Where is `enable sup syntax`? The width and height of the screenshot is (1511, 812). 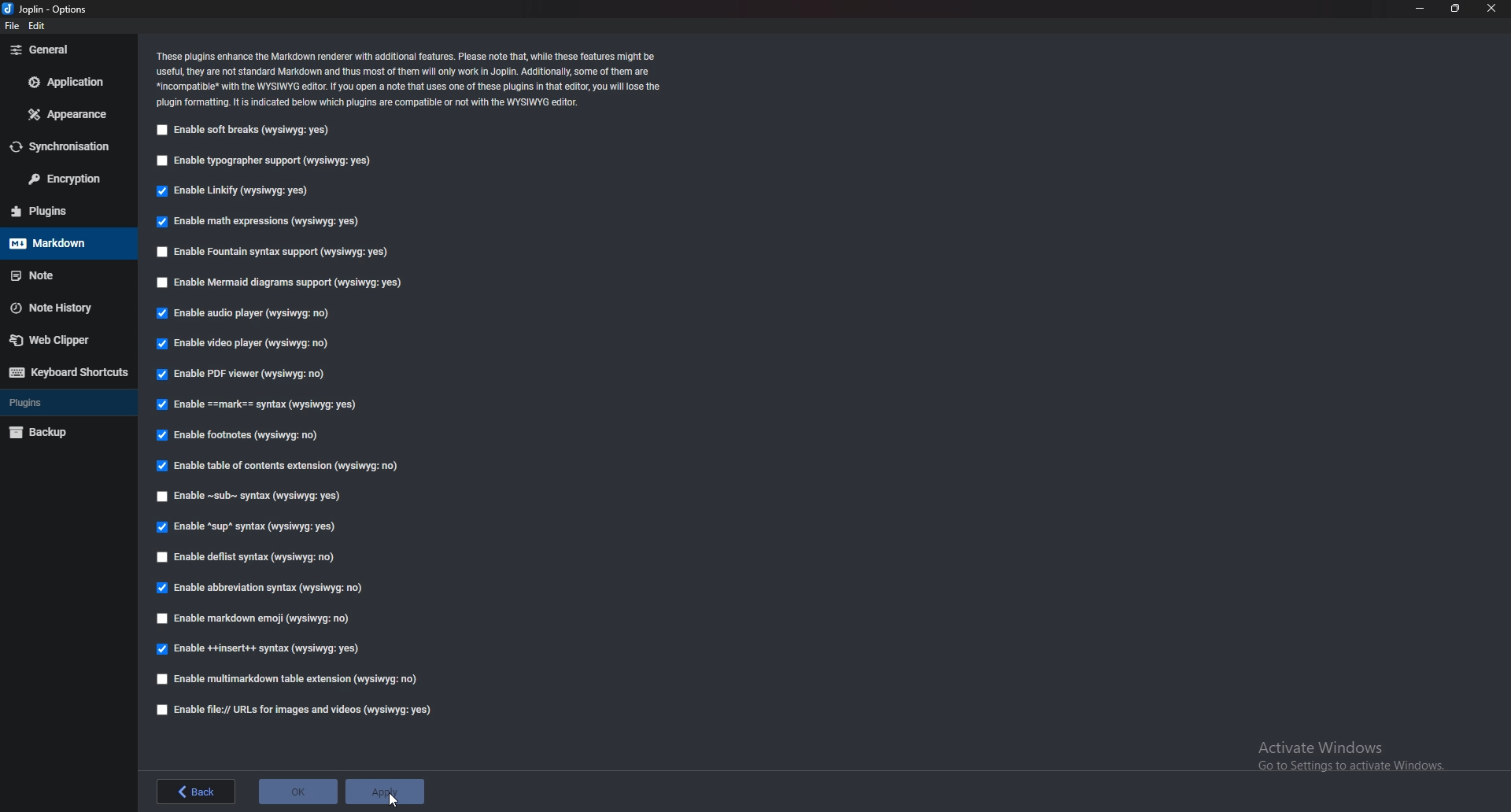 enable sup syntax is located at coordinates (246, 526).